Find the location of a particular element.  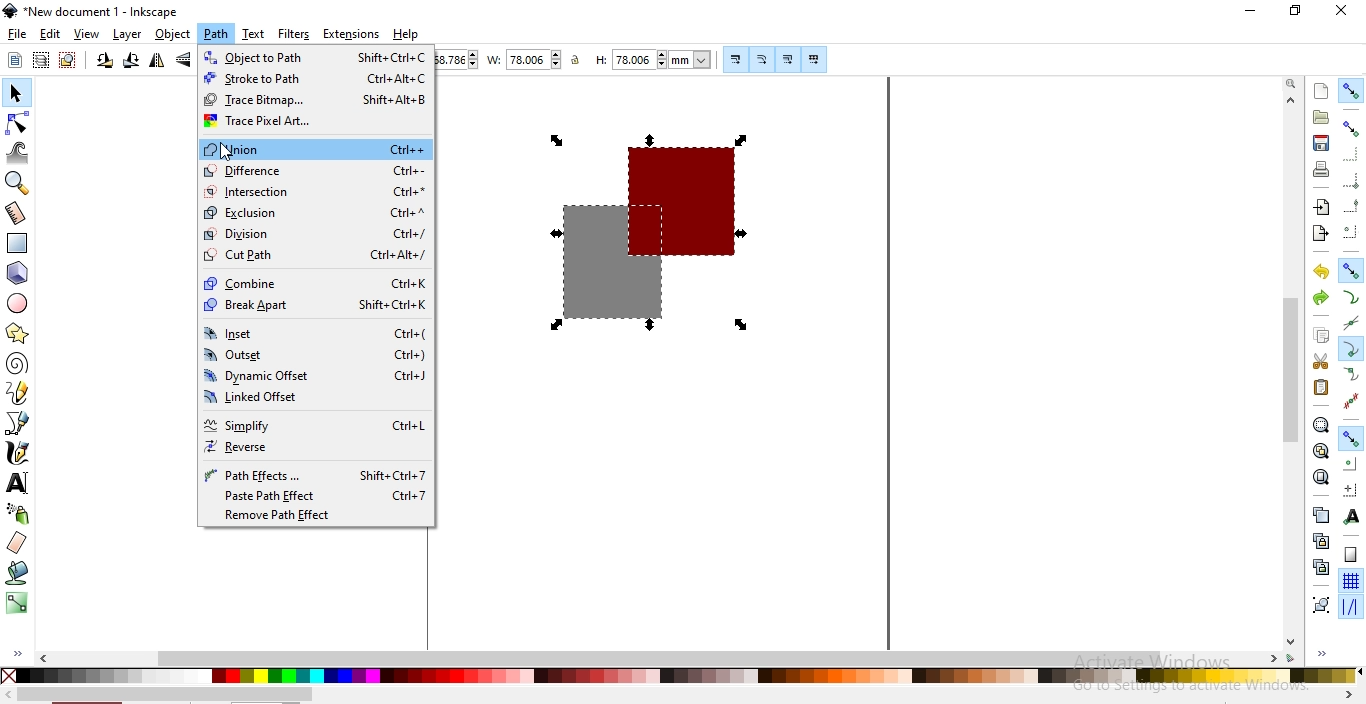

tweak objects by sculpting or painting is located at coordinates (20, 153).